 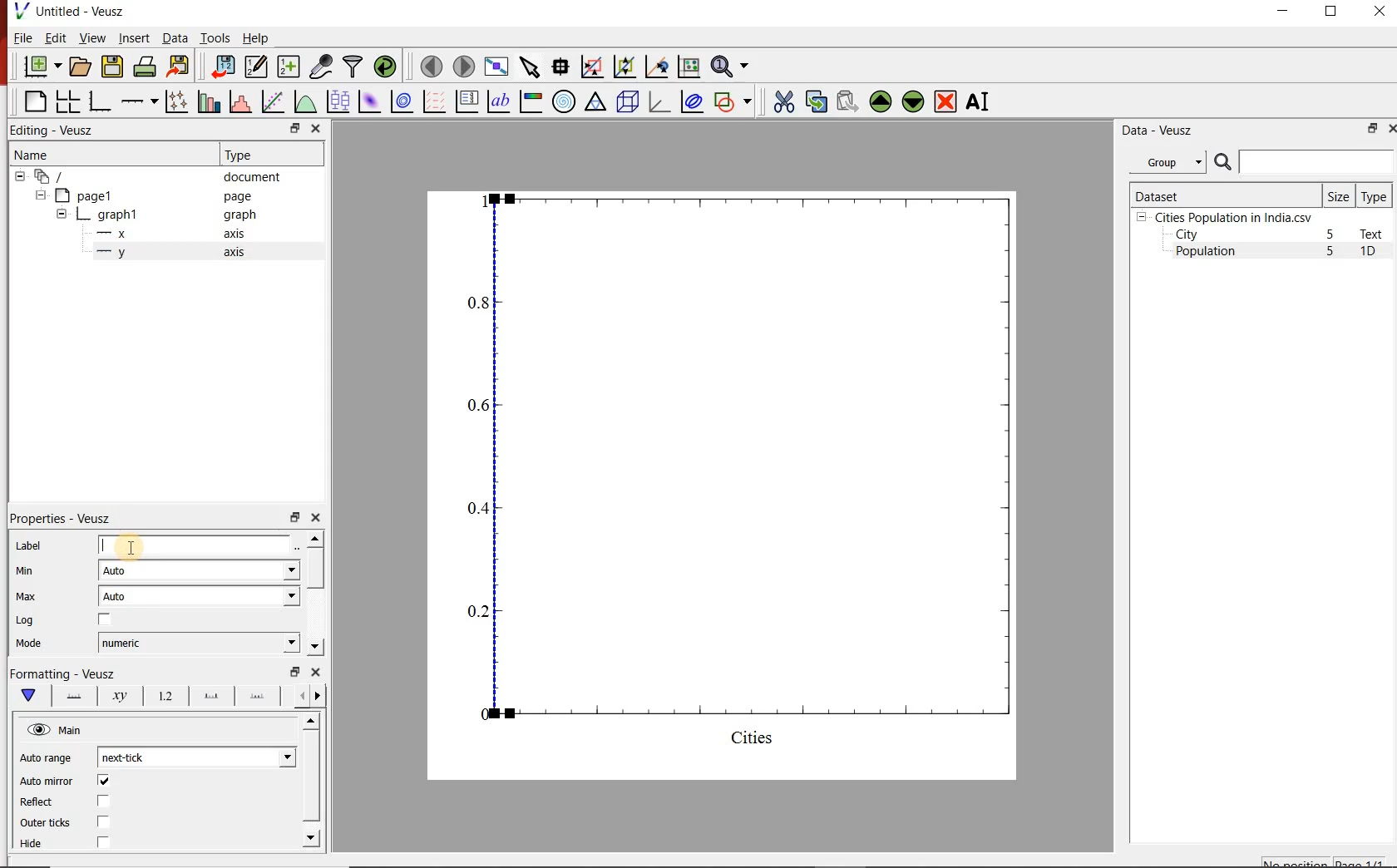 What do you see at coordinates (200, 570) in the screenshot?
I see `Auto` at bounding box center [200, 570].